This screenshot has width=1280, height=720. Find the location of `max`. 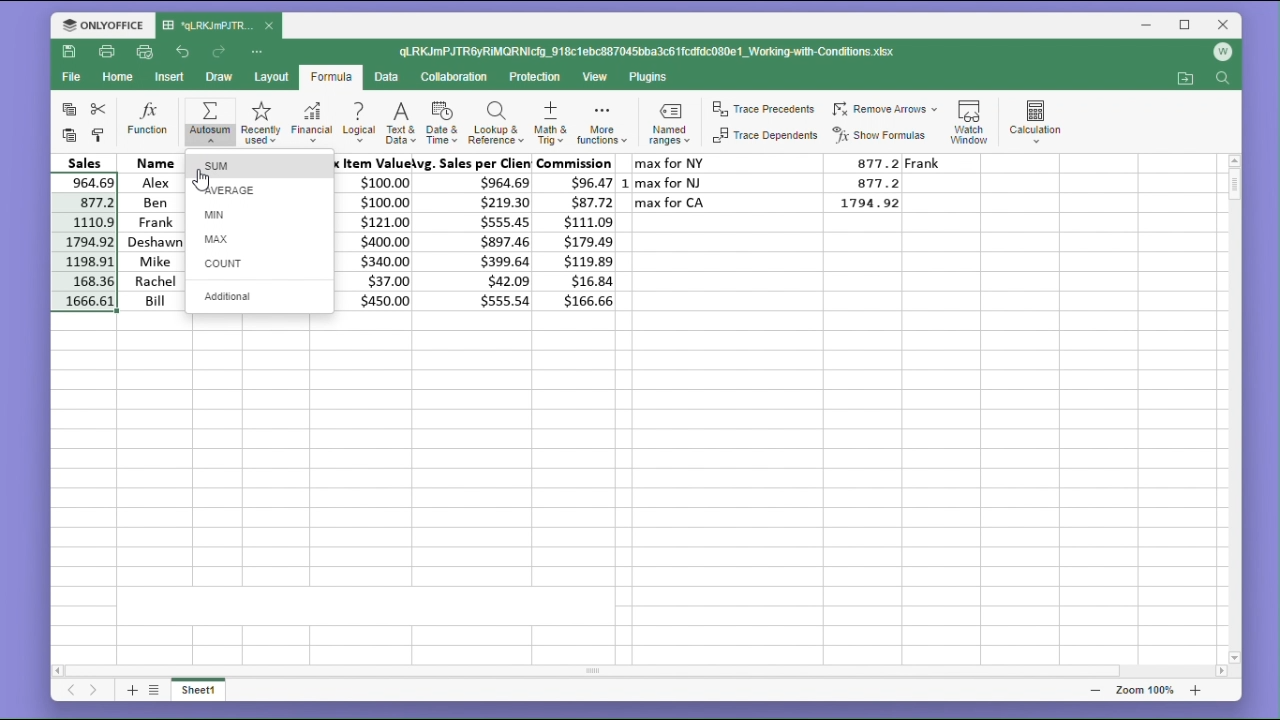

max is located at coordinates (258, 237).